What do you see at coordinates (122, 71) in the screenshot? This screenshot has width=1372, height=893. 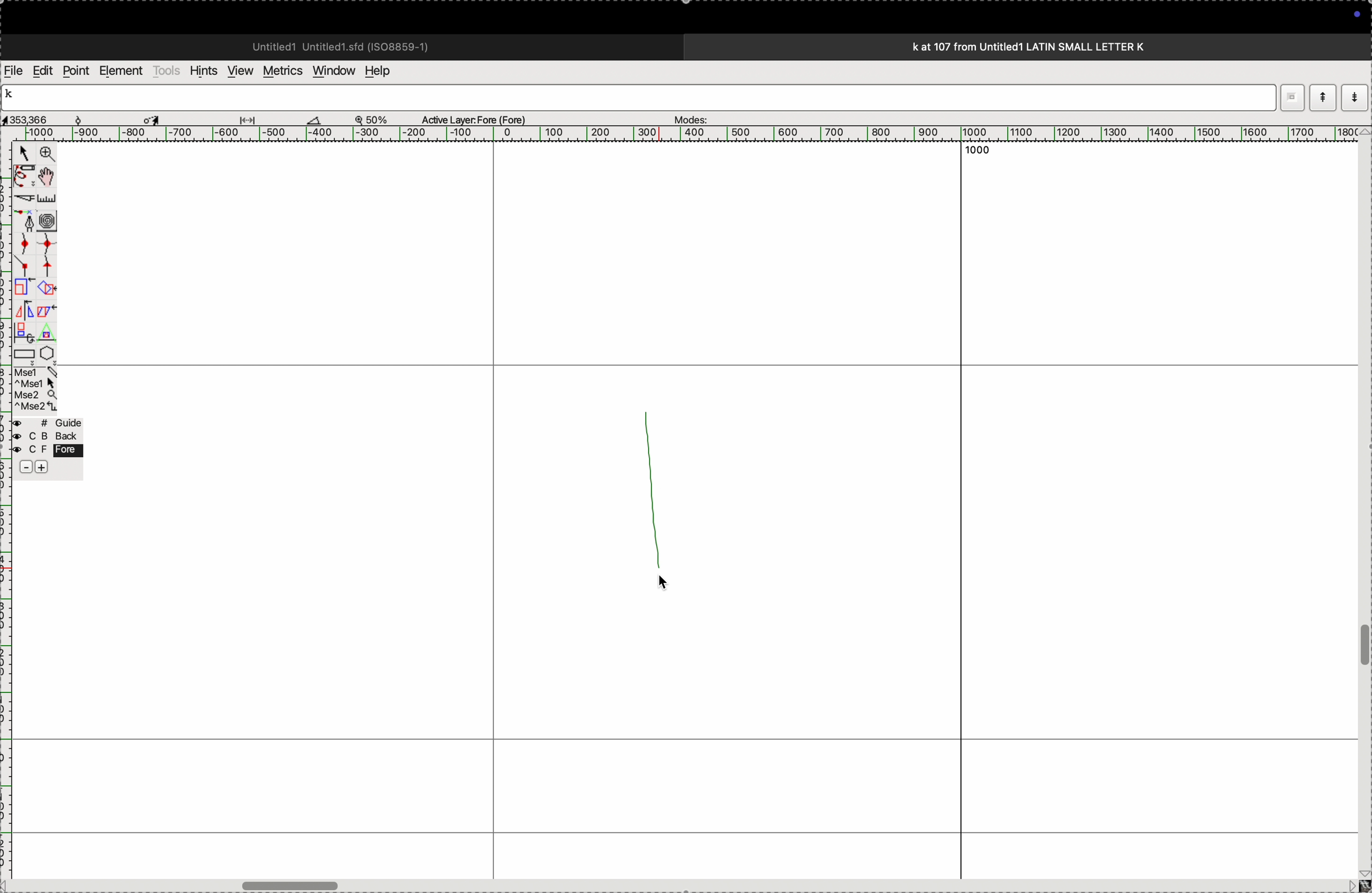 I see `element` at bounding box center [122, 71].